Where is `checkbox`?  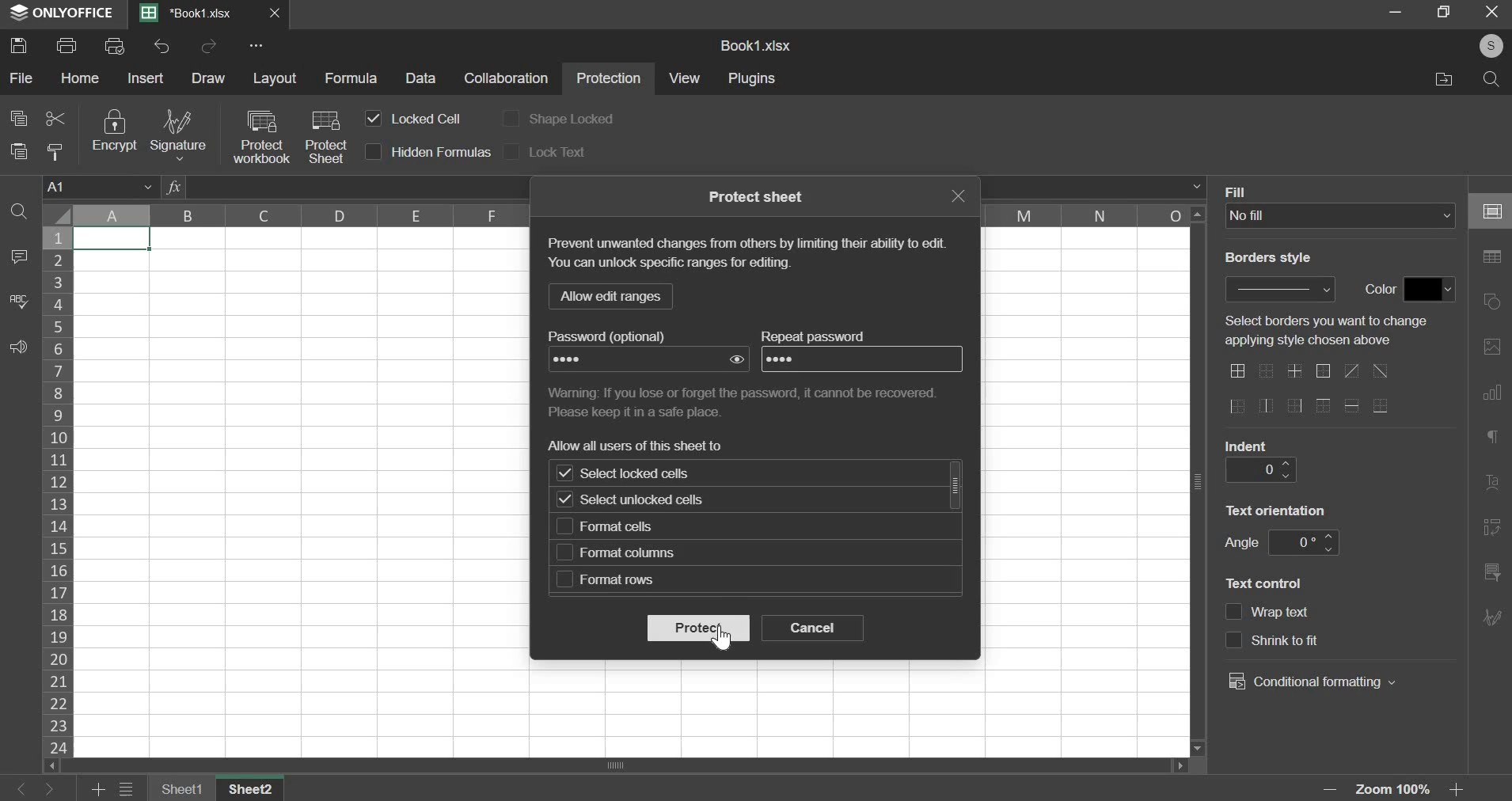
checkbox is located at coordinates (565, 579).